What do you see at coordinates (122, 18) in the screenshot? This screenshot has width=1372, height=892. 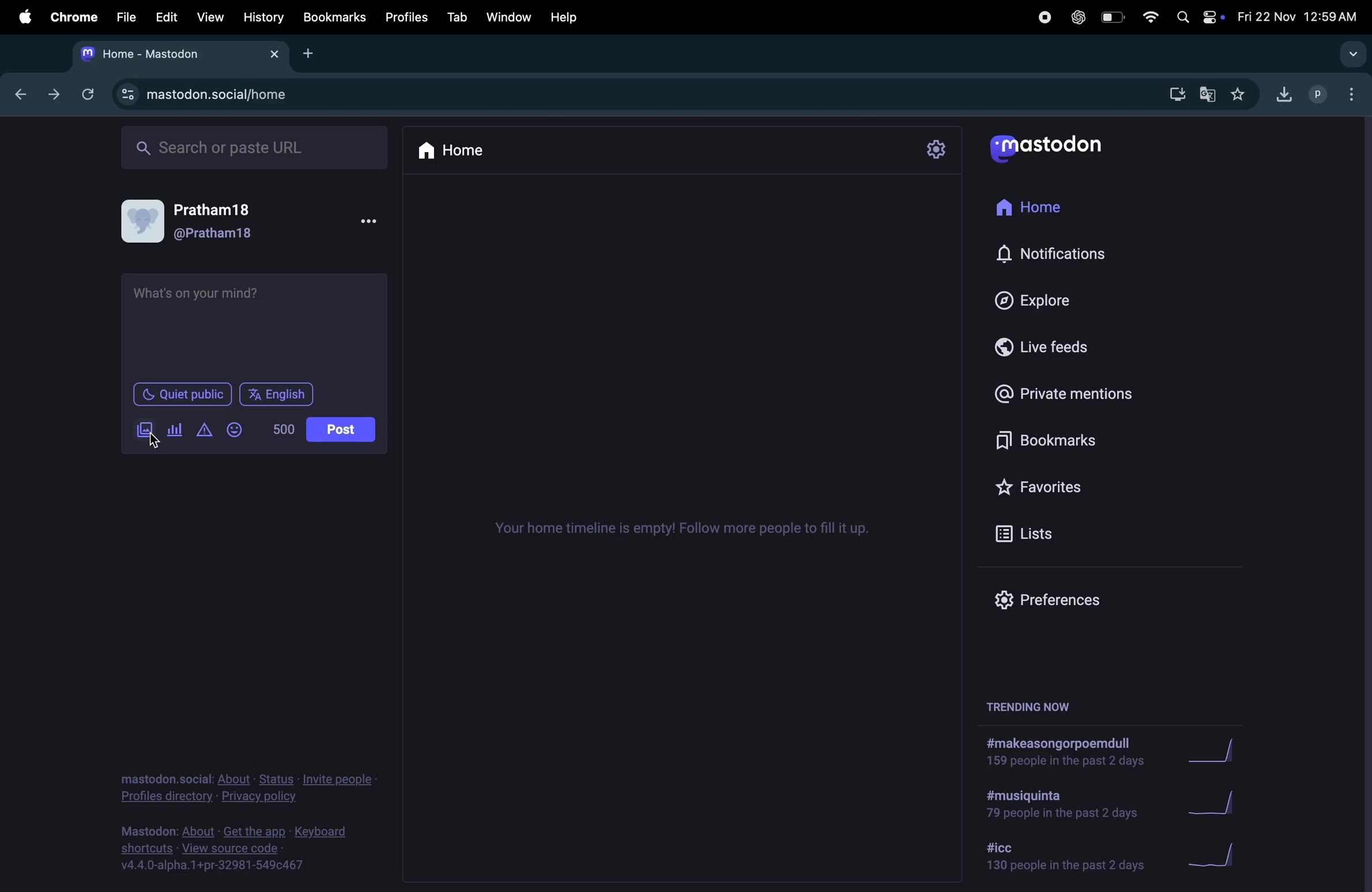 I see `file` at bounding box center [122, 18].